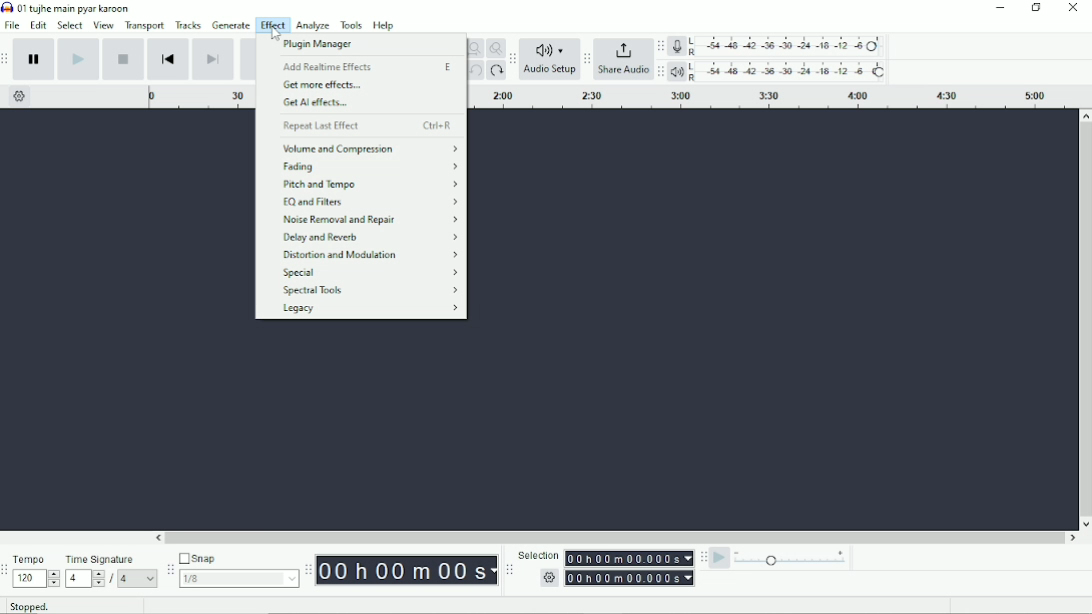 The width and height of the screenshot is (1092, 614). Describe the element at coordinates (78, 59) in the screenshot. I see `Play` at that location.